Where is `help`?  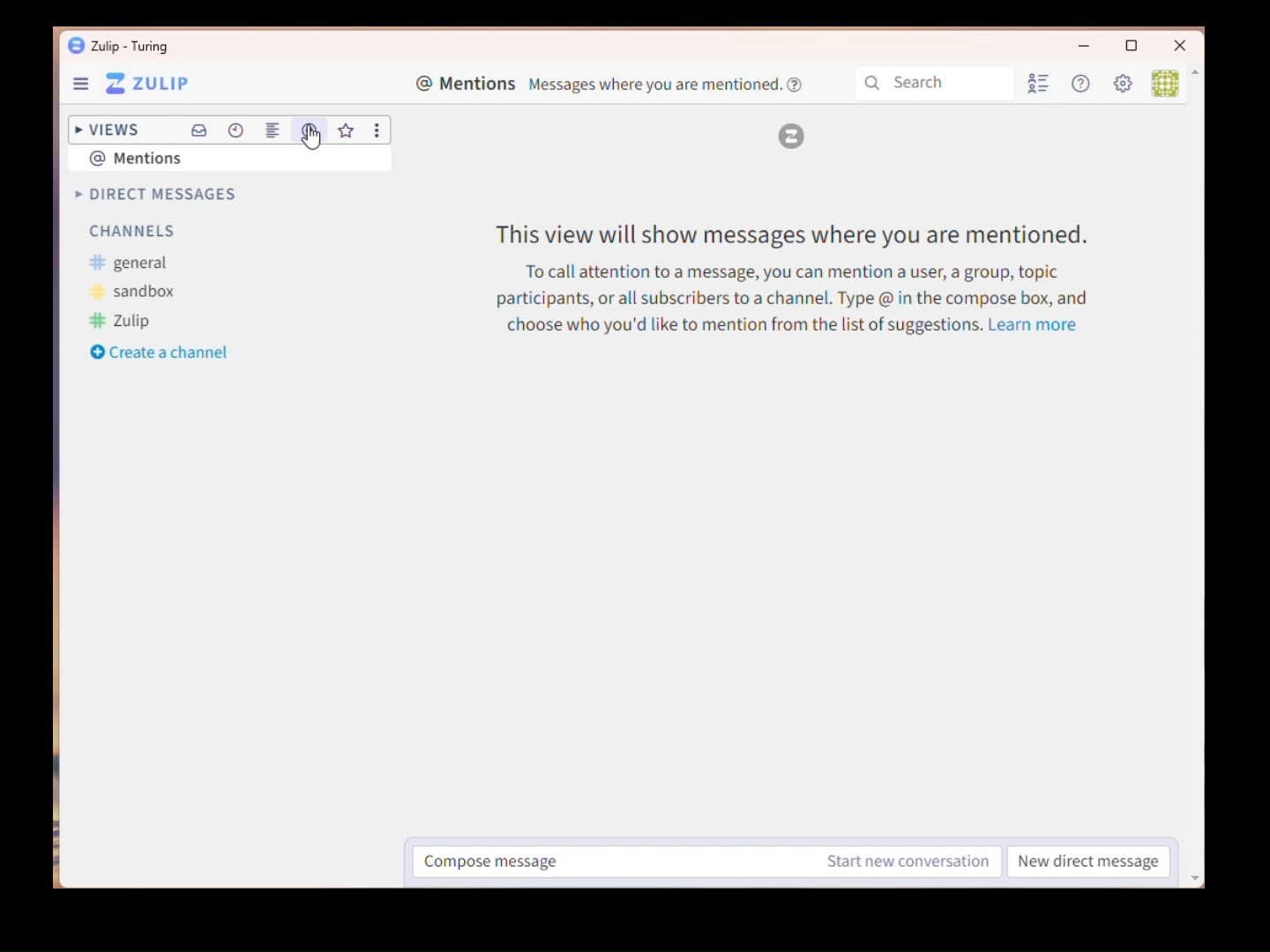
help is located at coordinates (794, 85).